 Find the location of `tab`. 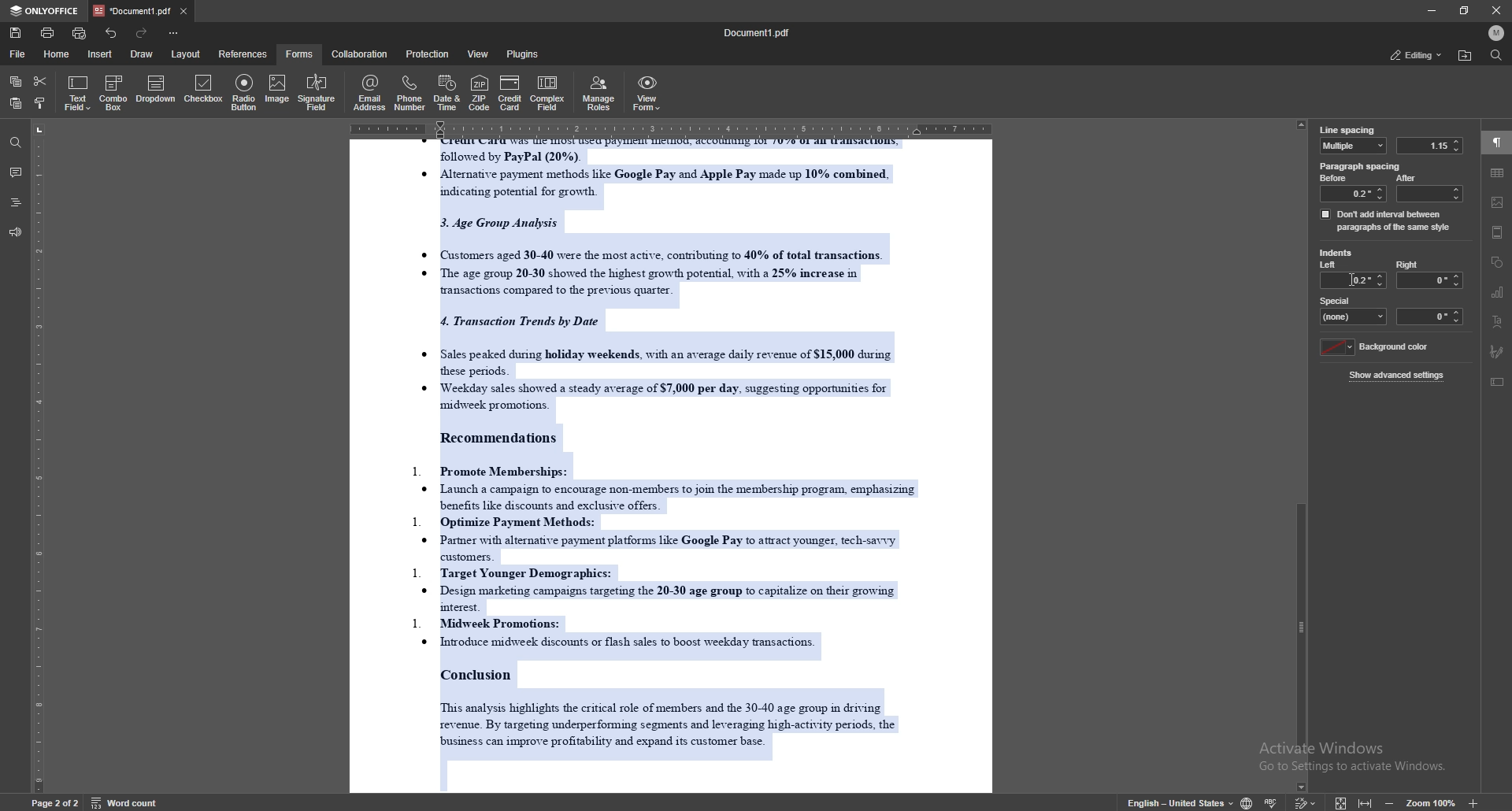

tab is located at coordinates (133, 10).